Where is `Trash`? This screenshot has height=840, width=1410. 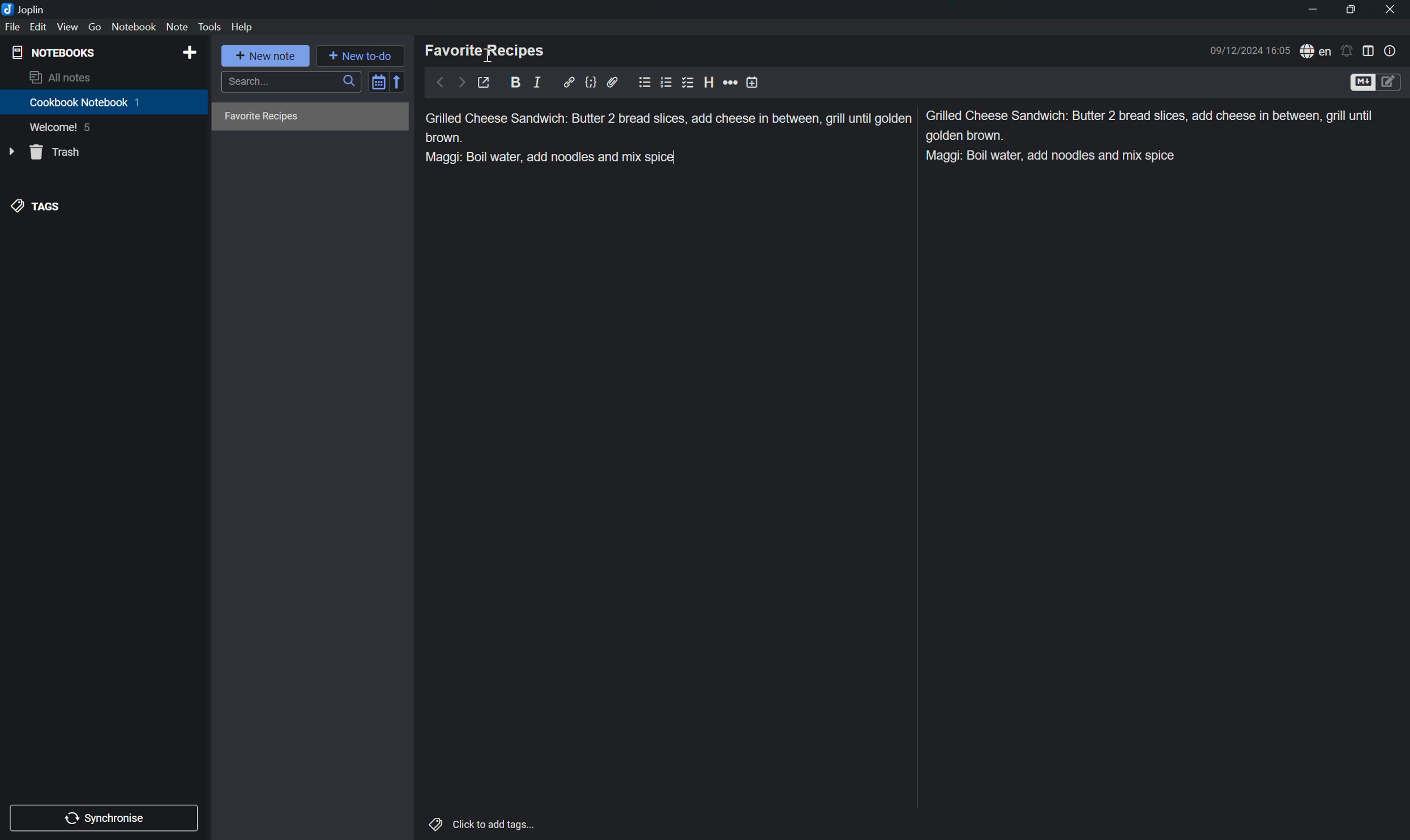 Trash is located at coordinates (58, 151).